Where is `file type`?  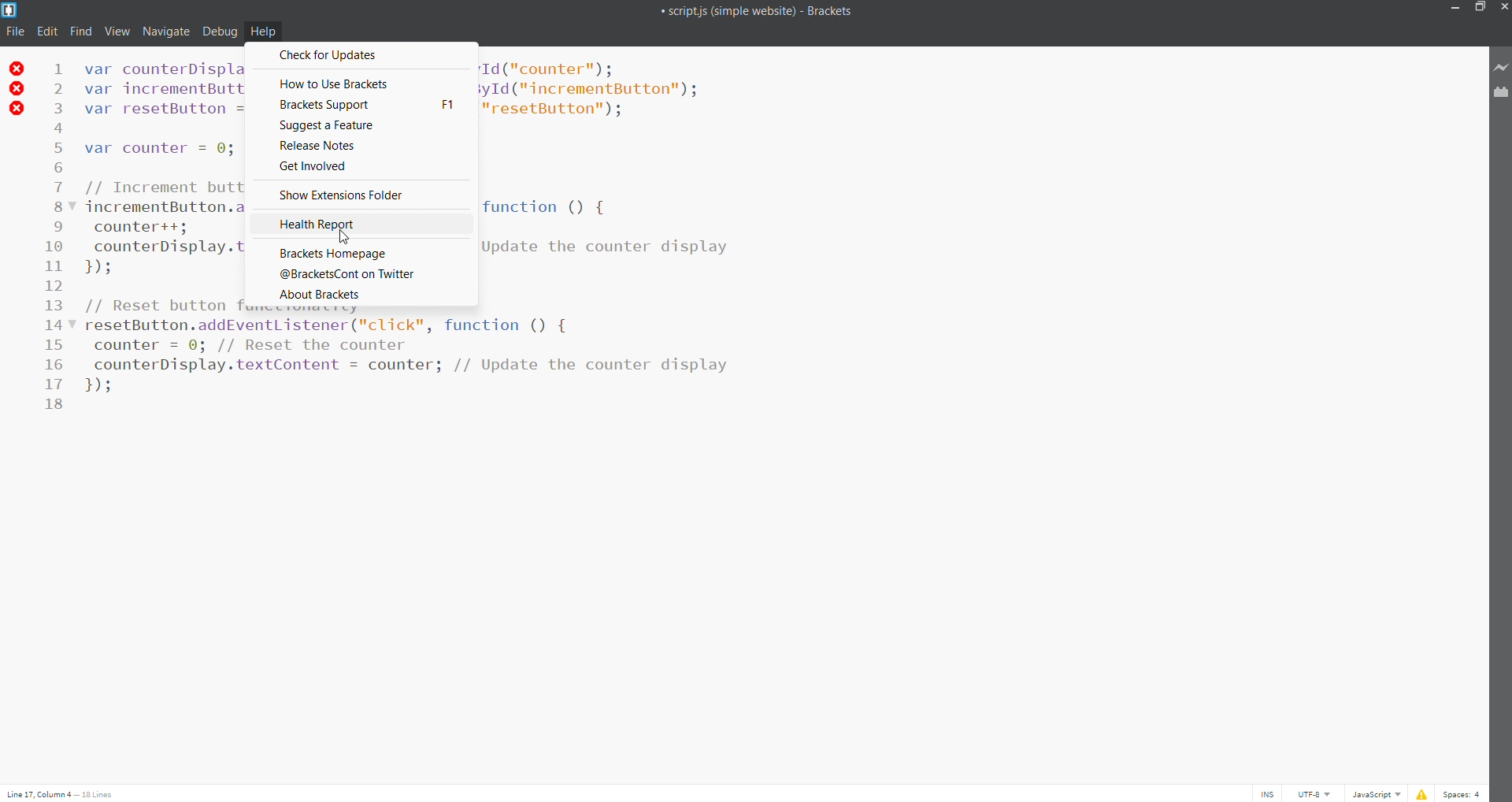
file type is located at coordinates (1373, 793).